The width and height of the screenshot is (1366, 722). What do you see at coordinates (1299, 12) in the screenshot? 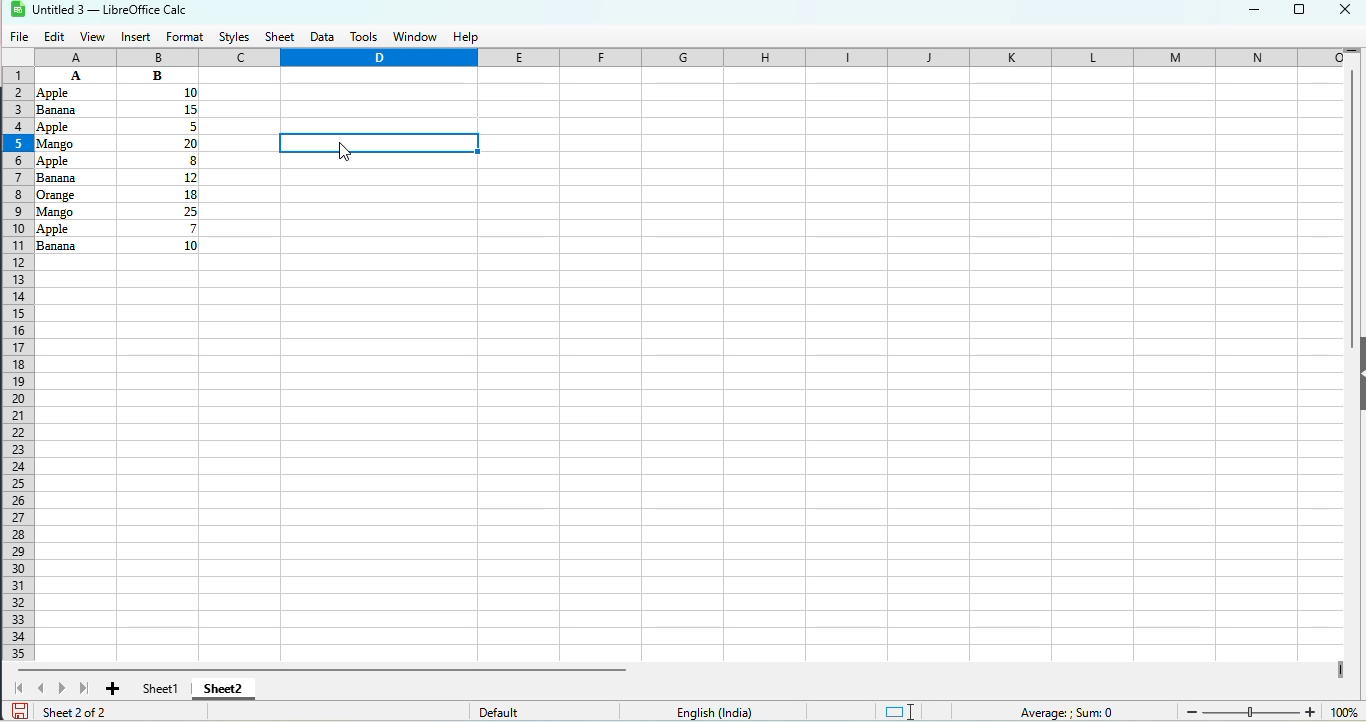
I see `maximize` at bounding box center [1299, 12].